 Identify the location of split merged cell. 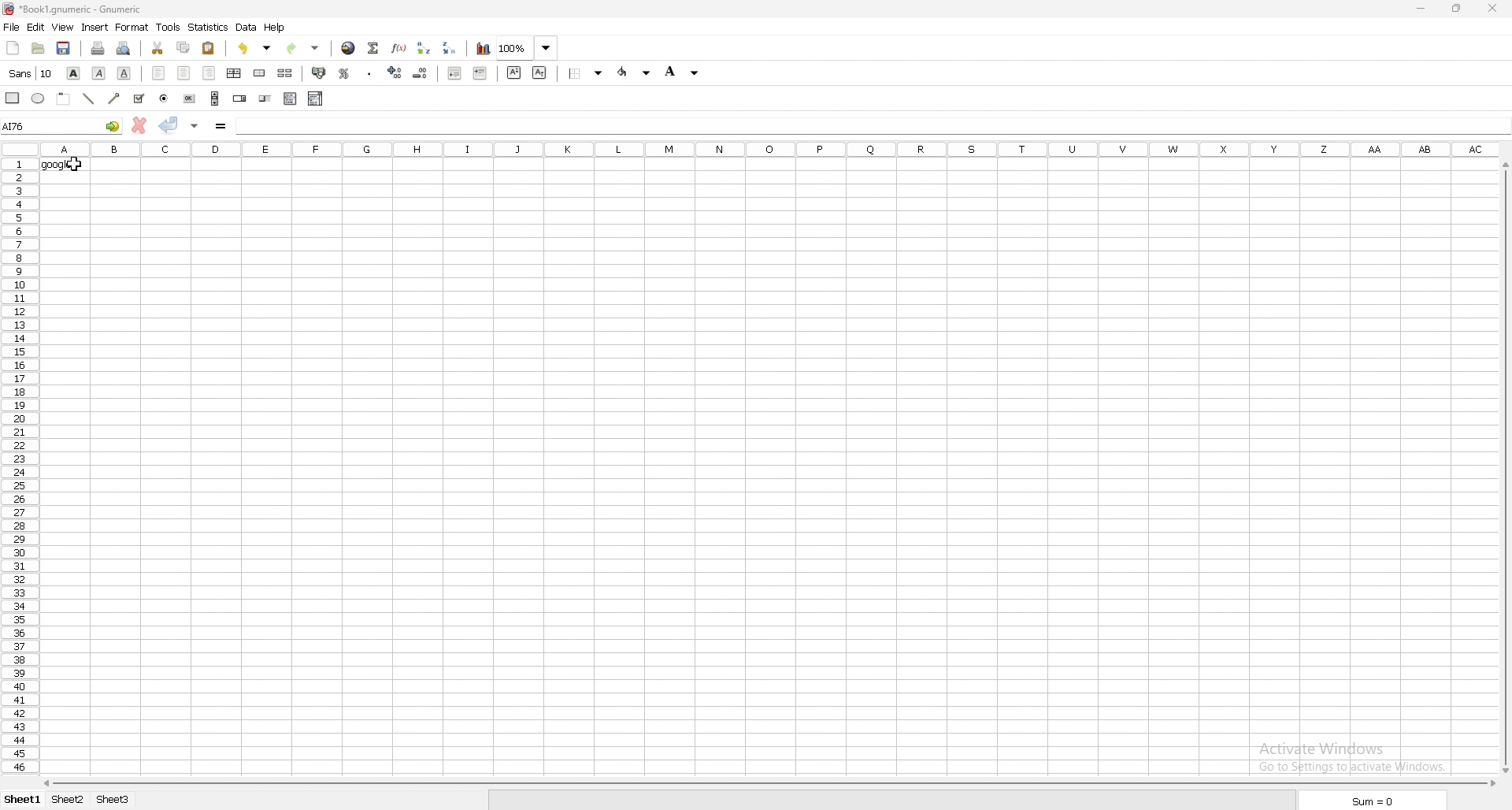
(286, 73).